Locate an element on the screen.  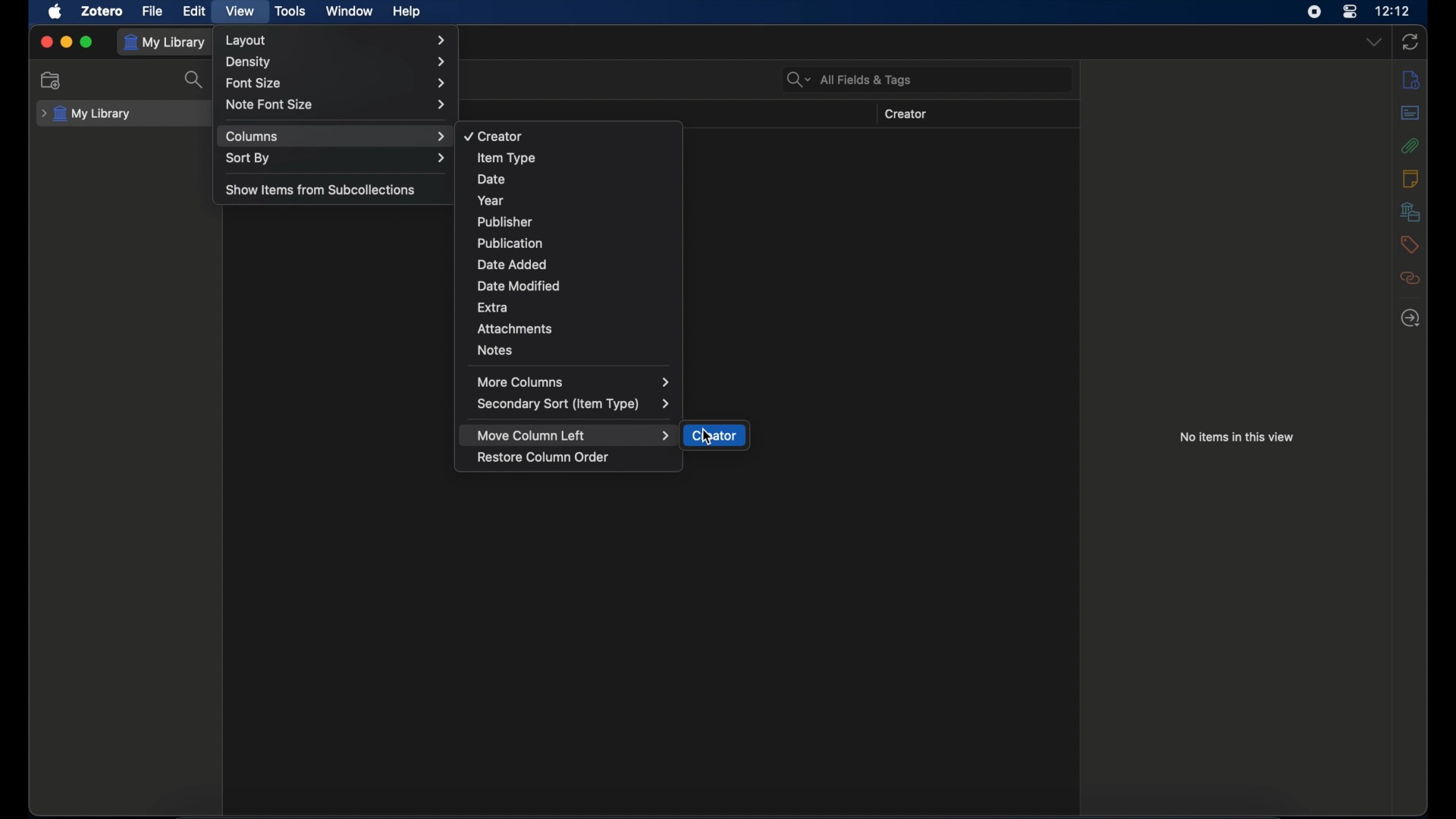
note font size is located at coordinates (336, 104).